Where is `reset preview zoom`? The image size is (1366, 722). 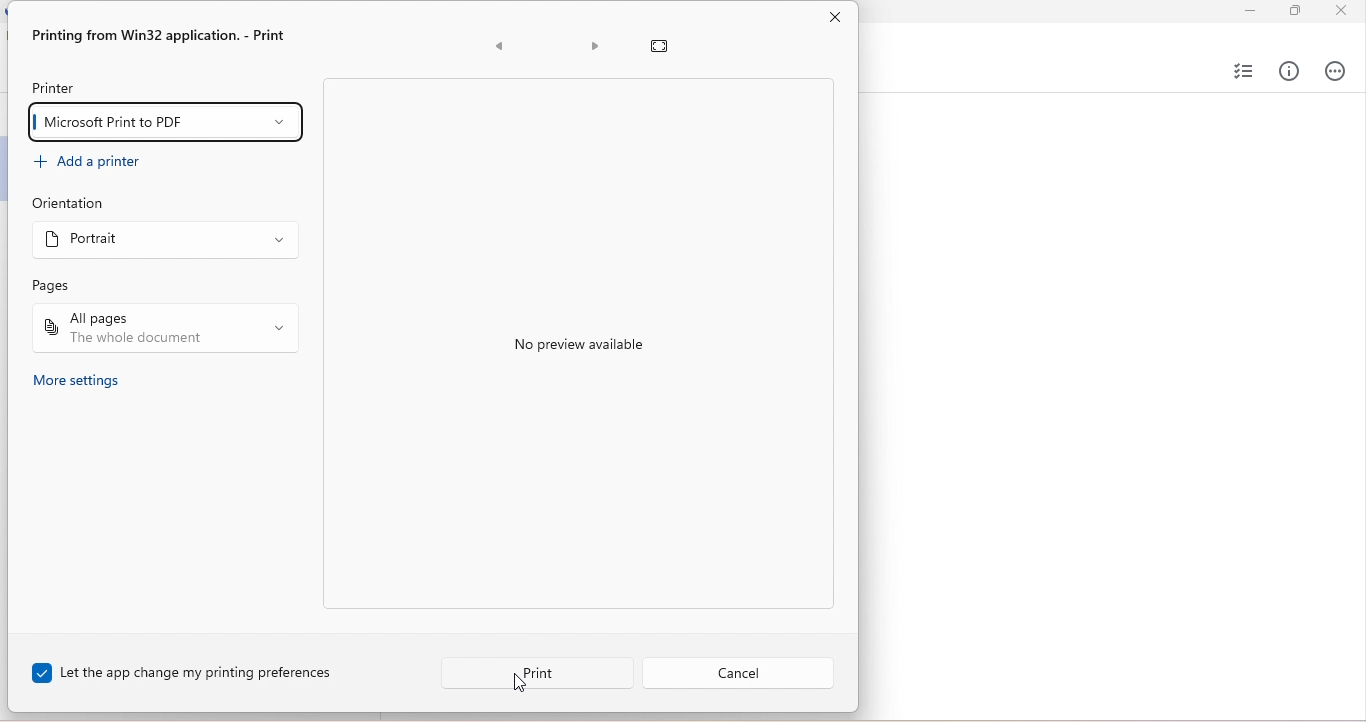 reset preview zoom is located at coordinates (662, 46).